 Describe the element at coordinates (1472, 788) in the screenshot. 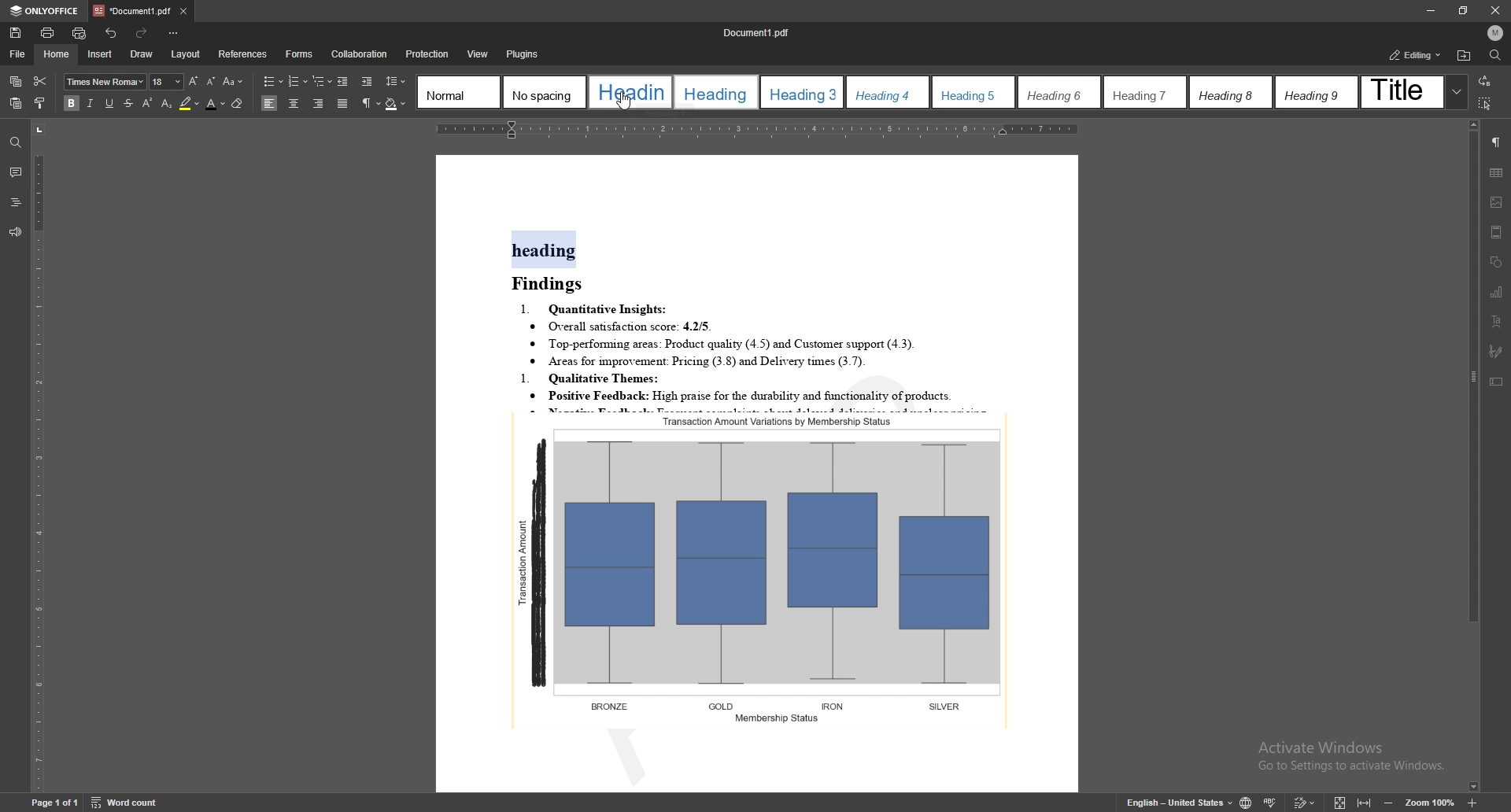

I see `scroll down` at that location.